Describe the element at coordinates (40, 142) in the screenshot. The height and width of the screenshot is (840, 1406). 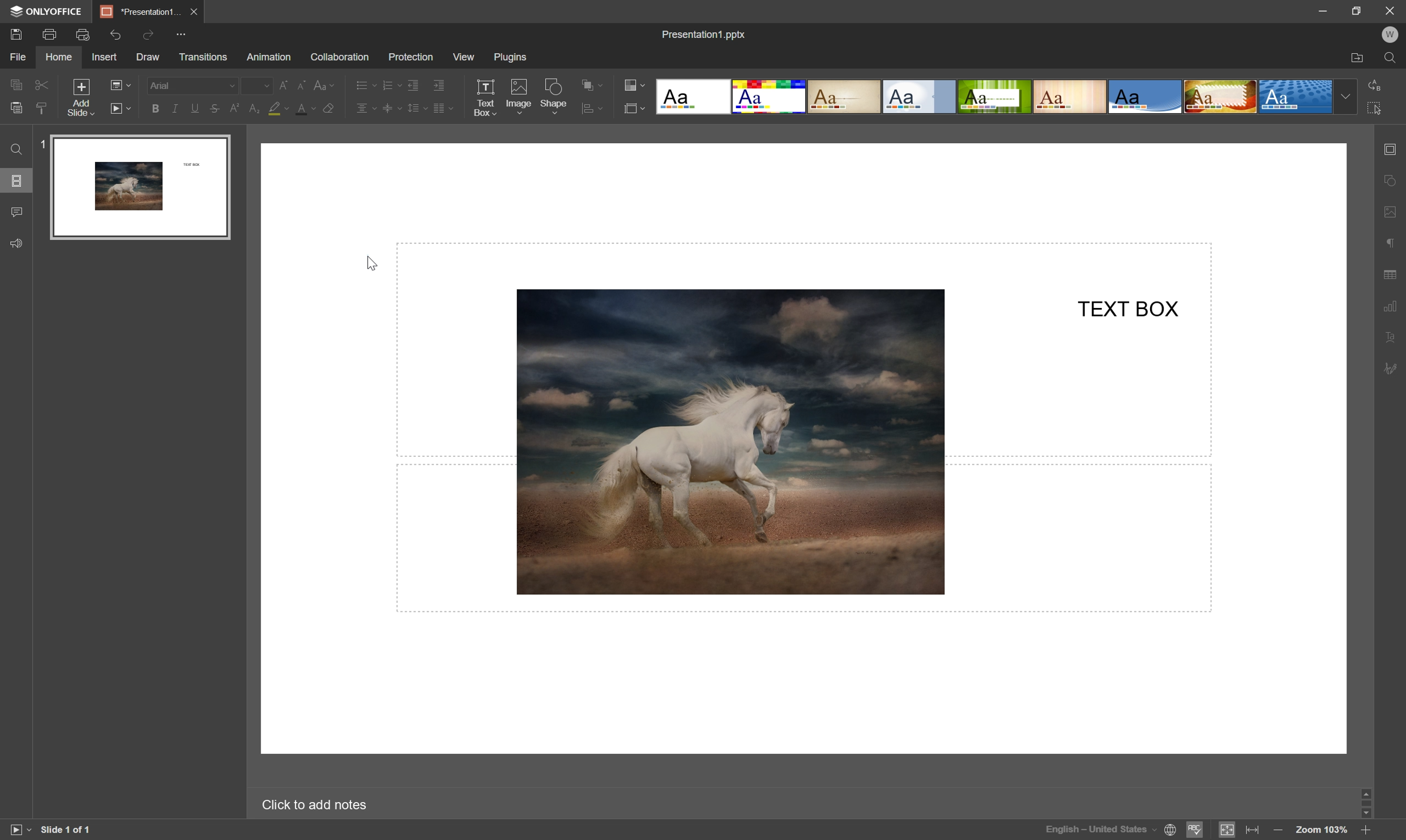
I see `1` at that location.